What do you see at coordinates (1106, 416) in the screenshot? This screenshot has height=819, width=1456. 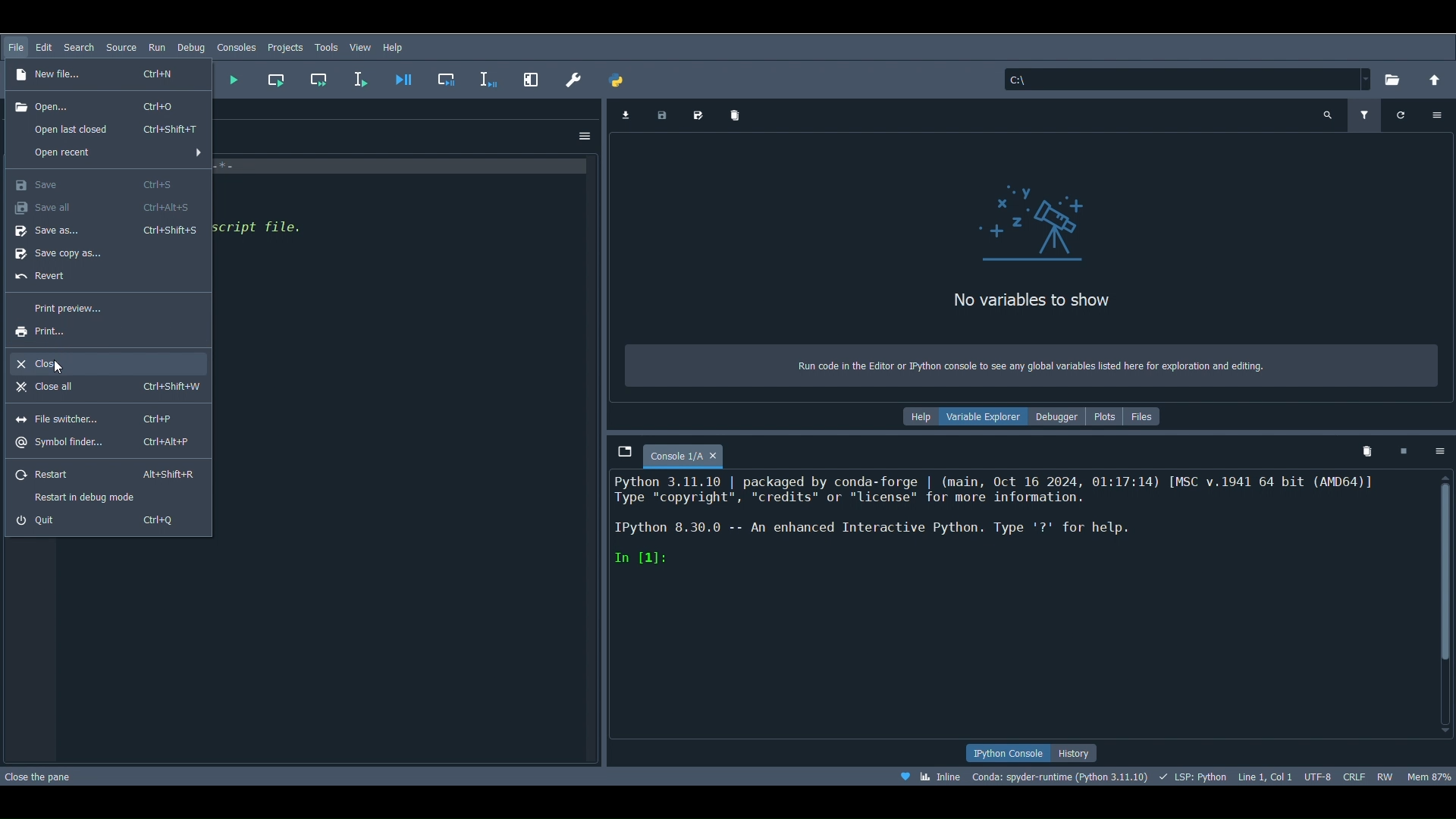 I see `Plots` at bounding box center [1106, 416].